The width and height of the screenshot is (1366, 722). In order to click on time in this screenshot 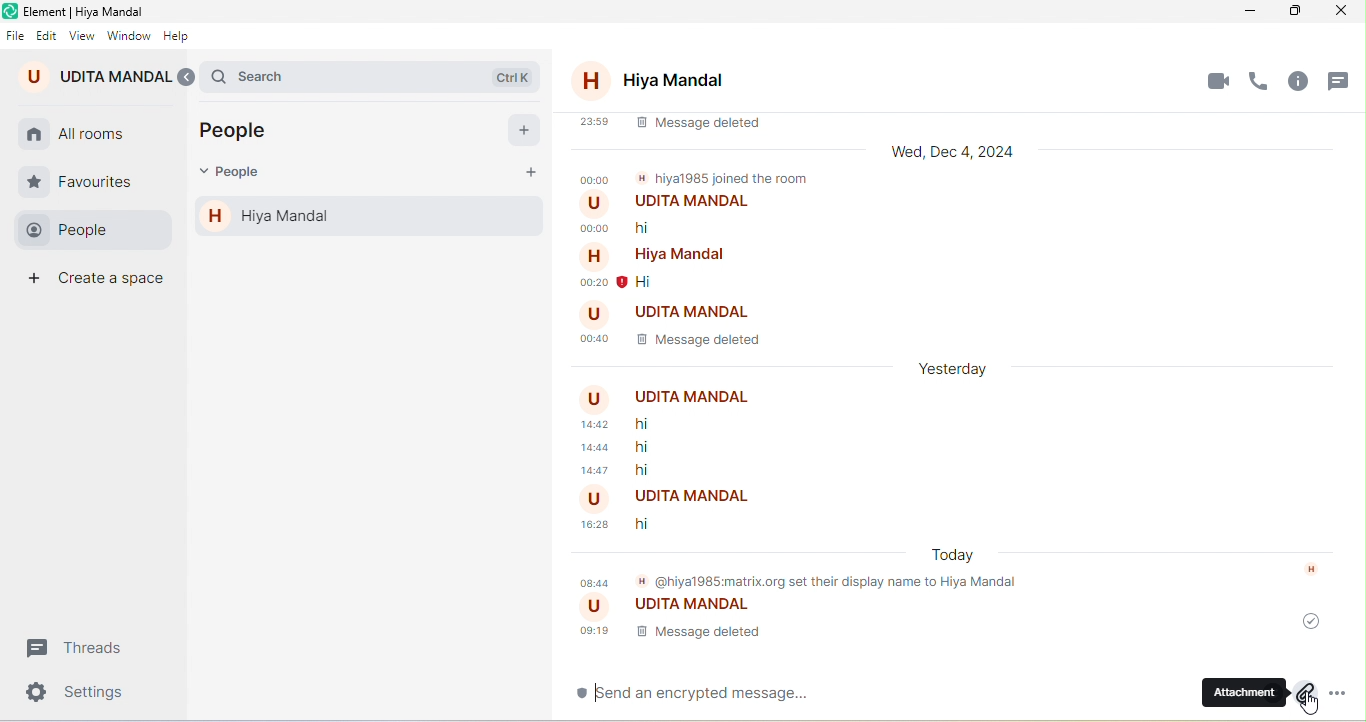, I will do `click(596, 526)`.